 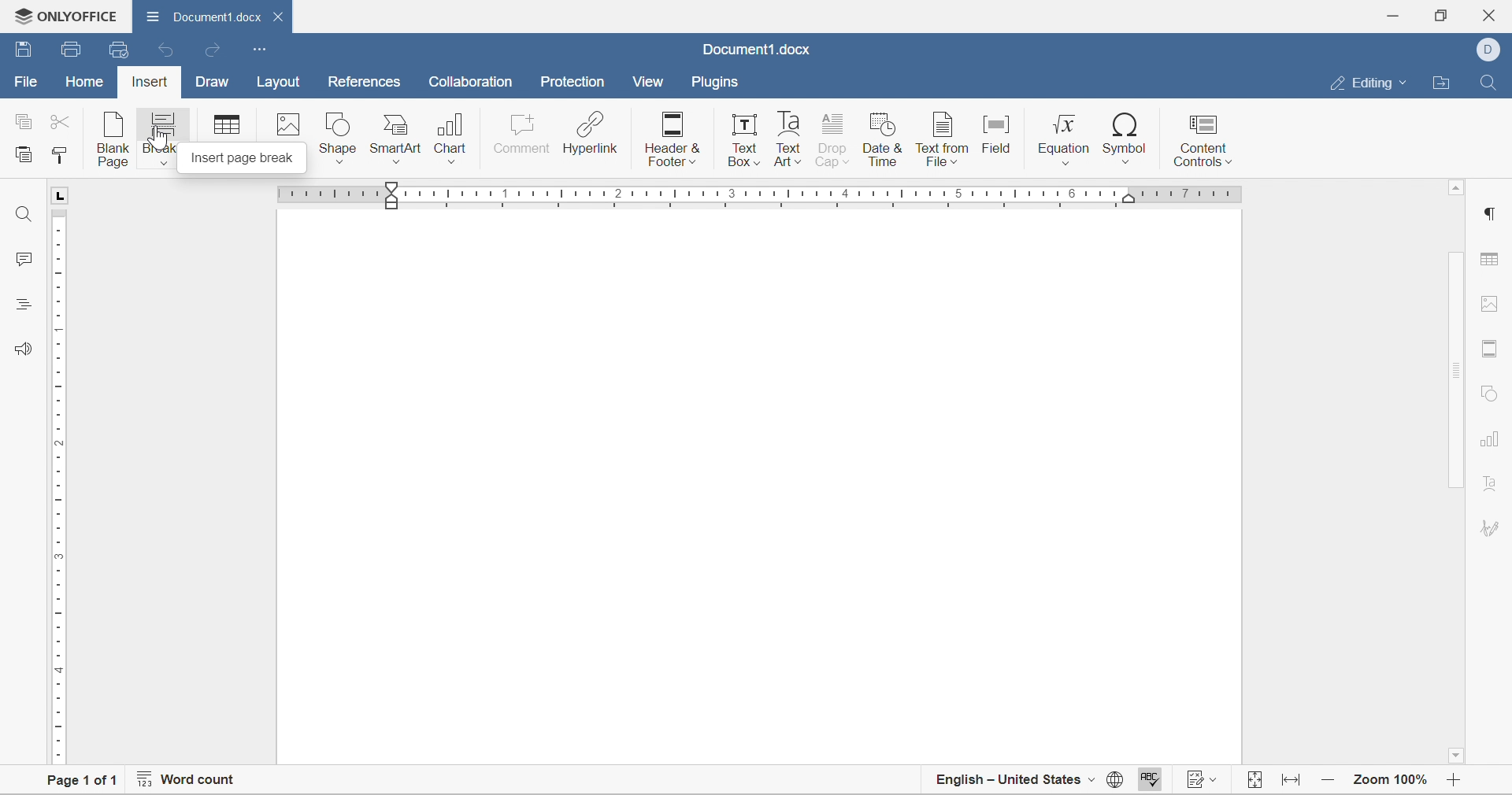 I want to click on Collaboration, so click(x=474, y=83).